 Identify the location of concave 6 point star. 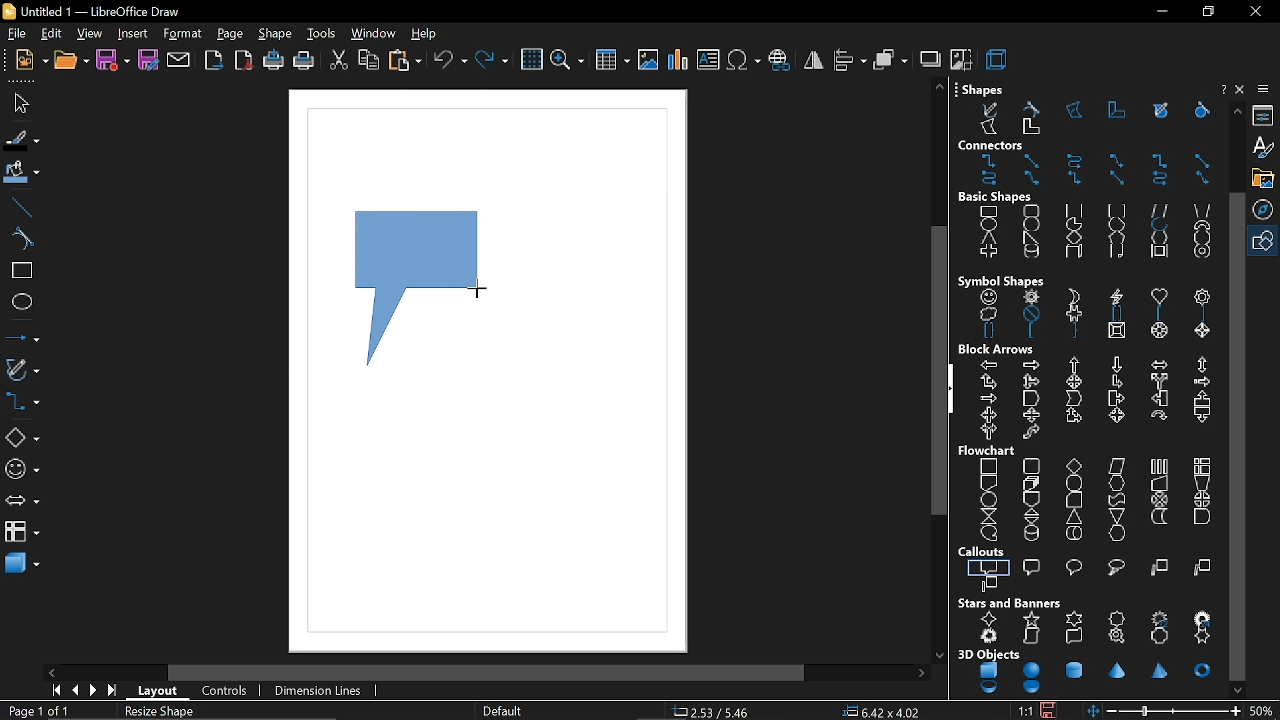
(1203, 637).